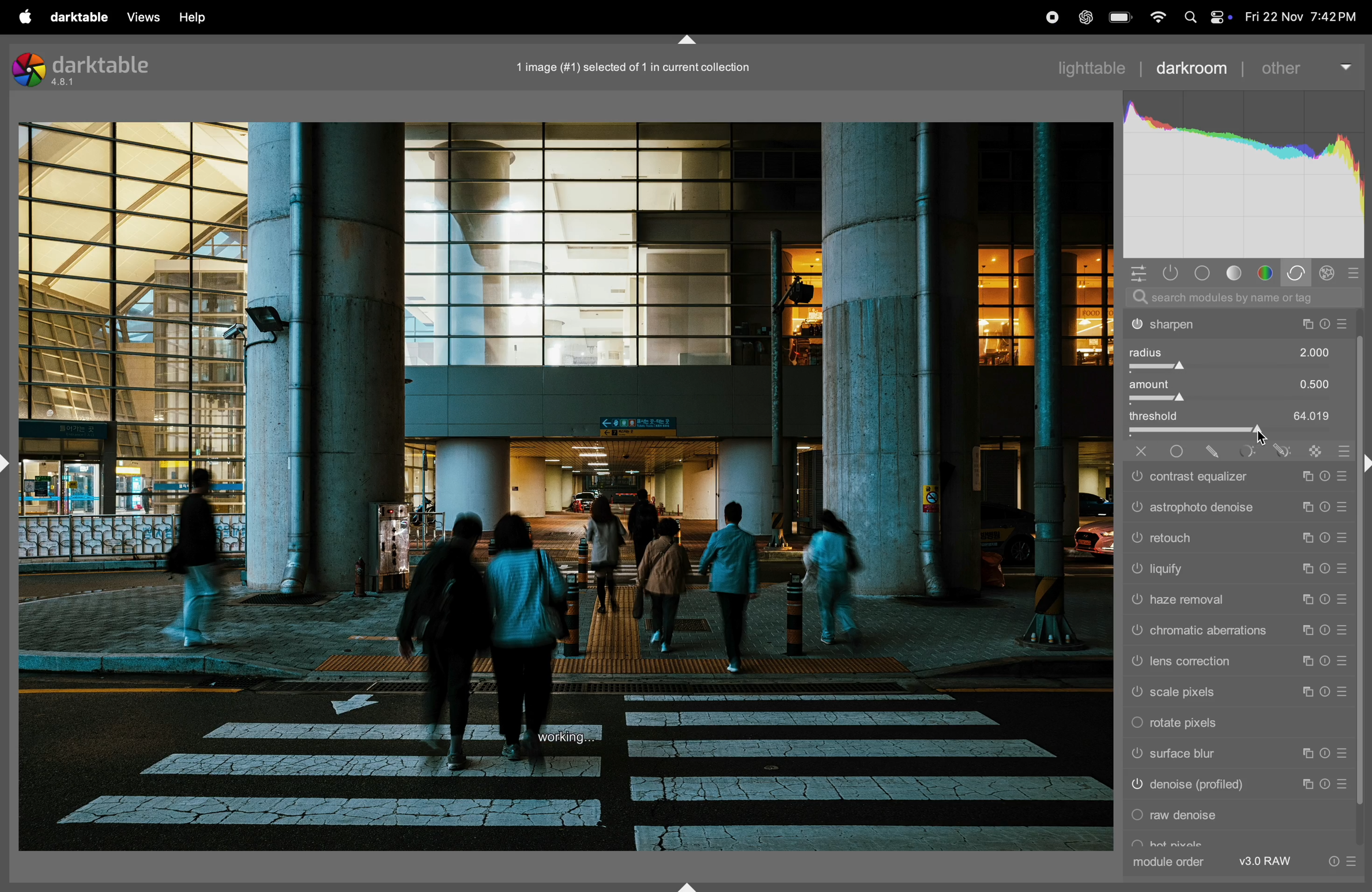 Image resolution: width=1372 pixels, height=892 pixels. I want to click on colors, so click(1265, 272).